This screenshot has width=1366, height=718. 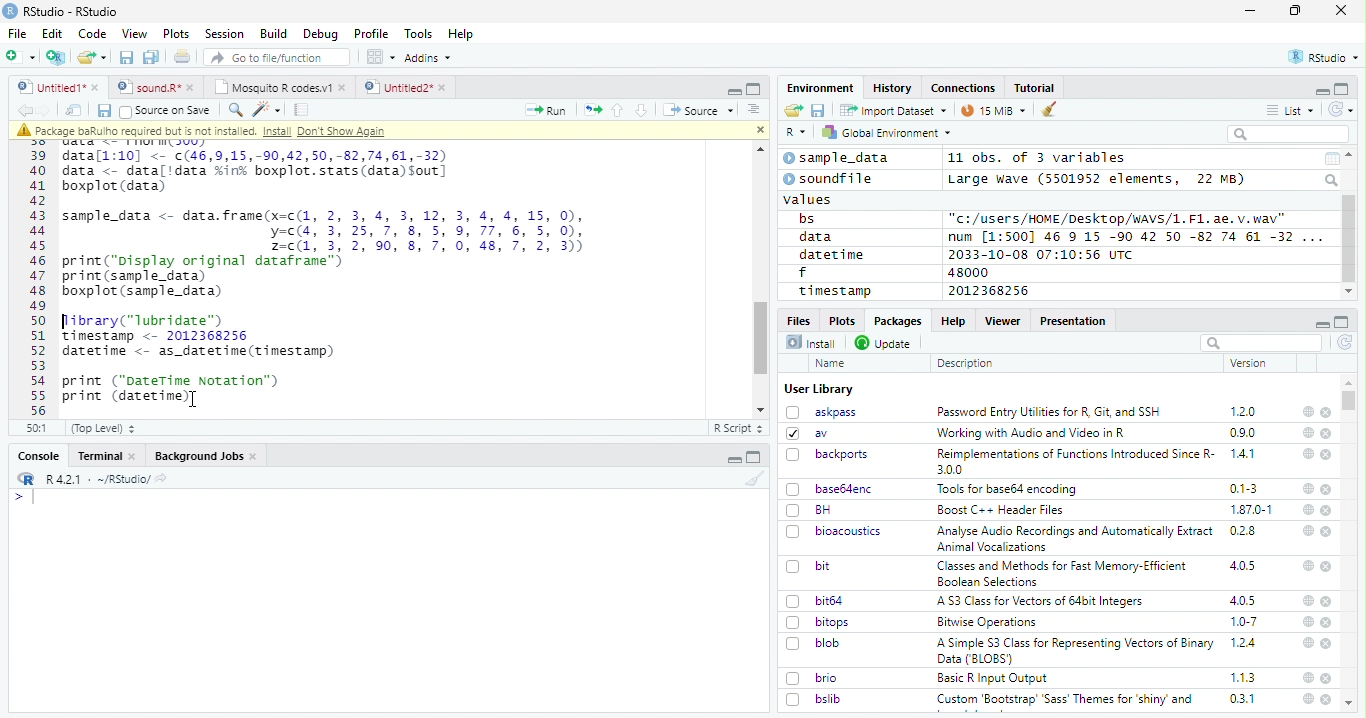 I want to click on Search, so click(x=1333, y=180).